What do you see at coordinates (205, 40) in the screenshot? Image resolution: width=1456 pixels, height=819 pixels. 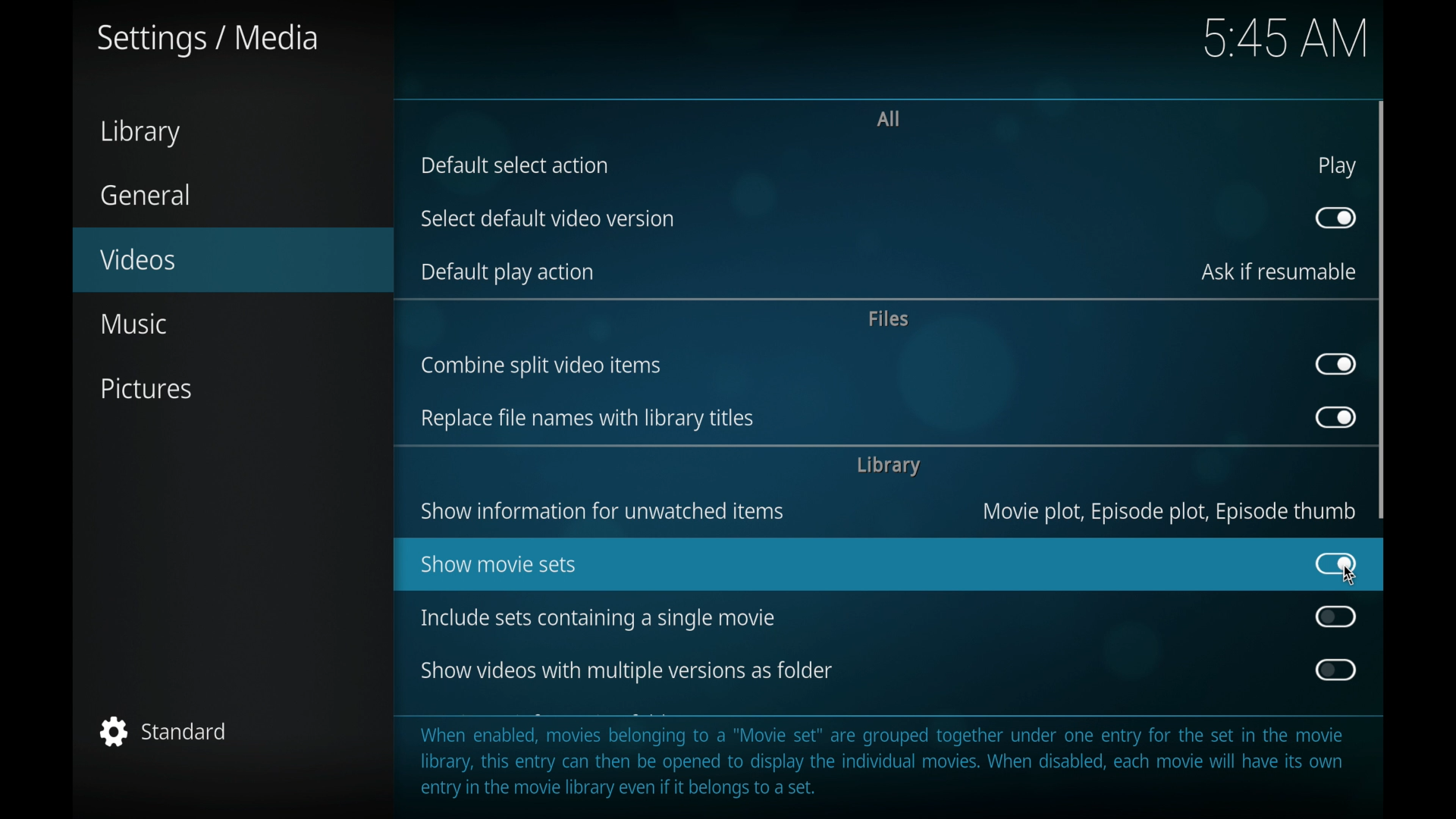 I see `settings` at bounding box center [205, 40].